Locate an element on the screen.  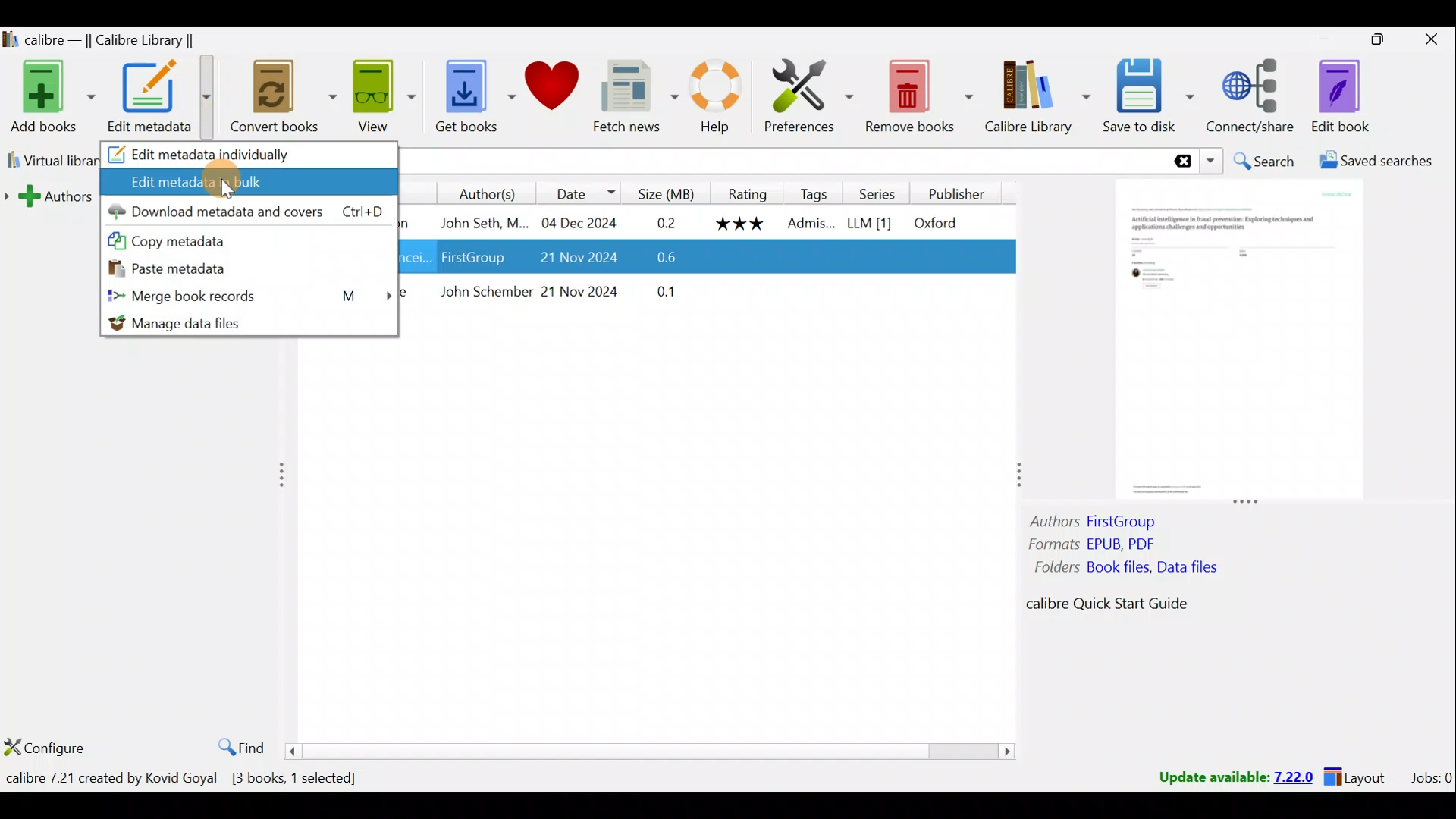
Series is located at coordinates (884, 193).